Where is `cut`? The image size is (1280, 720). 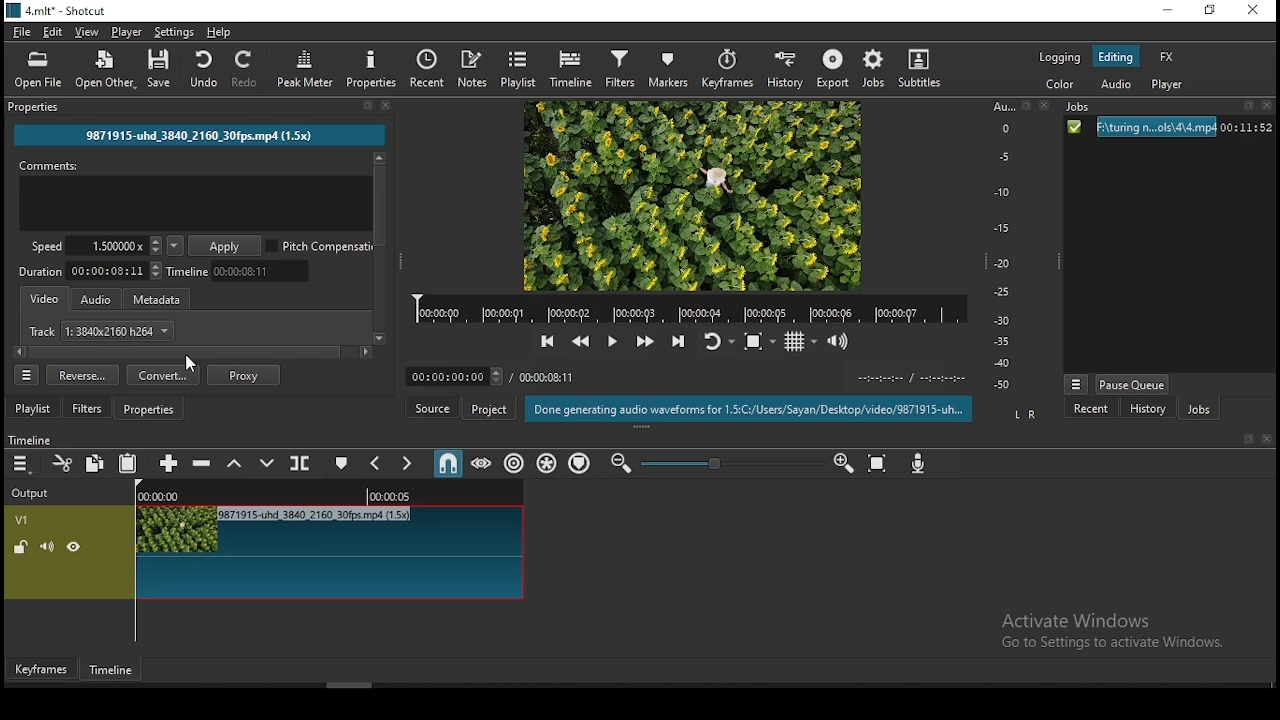
cut is located at coordinates (59, 463).